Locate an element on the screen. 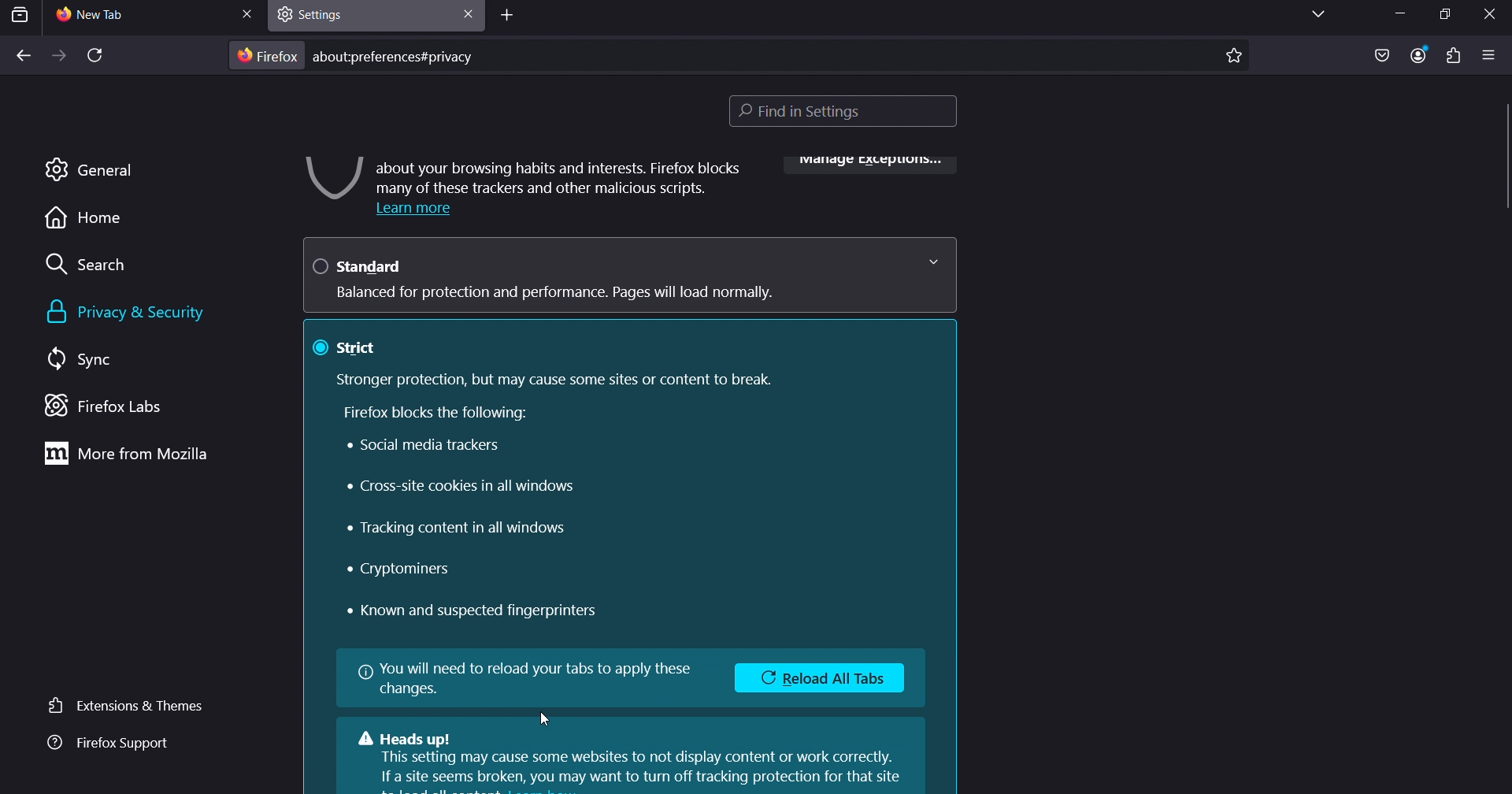 The image size is (1512, 794). list all tabs is located at coordinates (1312, 15).